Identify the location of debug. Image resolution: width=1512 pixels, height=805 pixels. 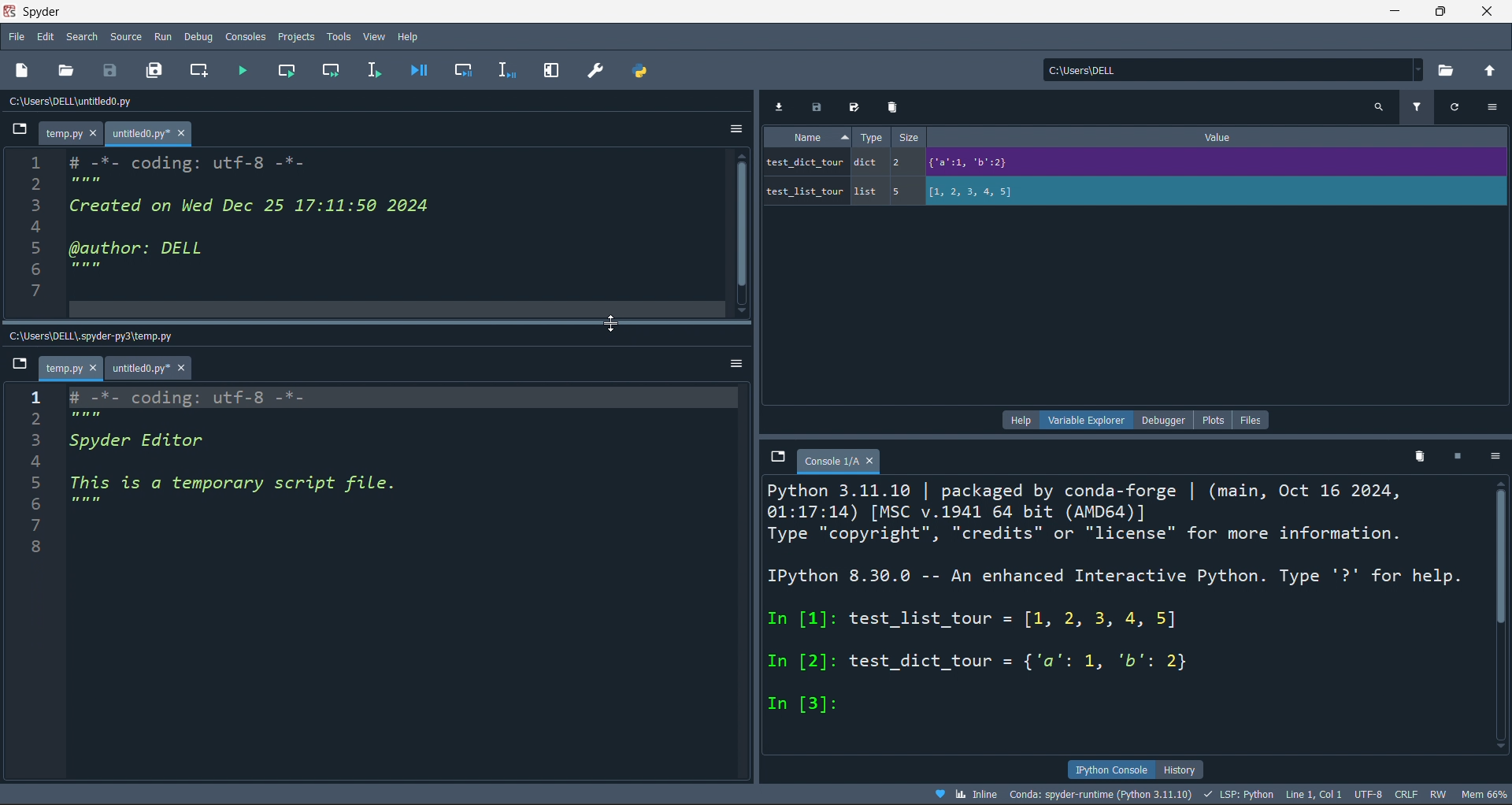
(202, 36).